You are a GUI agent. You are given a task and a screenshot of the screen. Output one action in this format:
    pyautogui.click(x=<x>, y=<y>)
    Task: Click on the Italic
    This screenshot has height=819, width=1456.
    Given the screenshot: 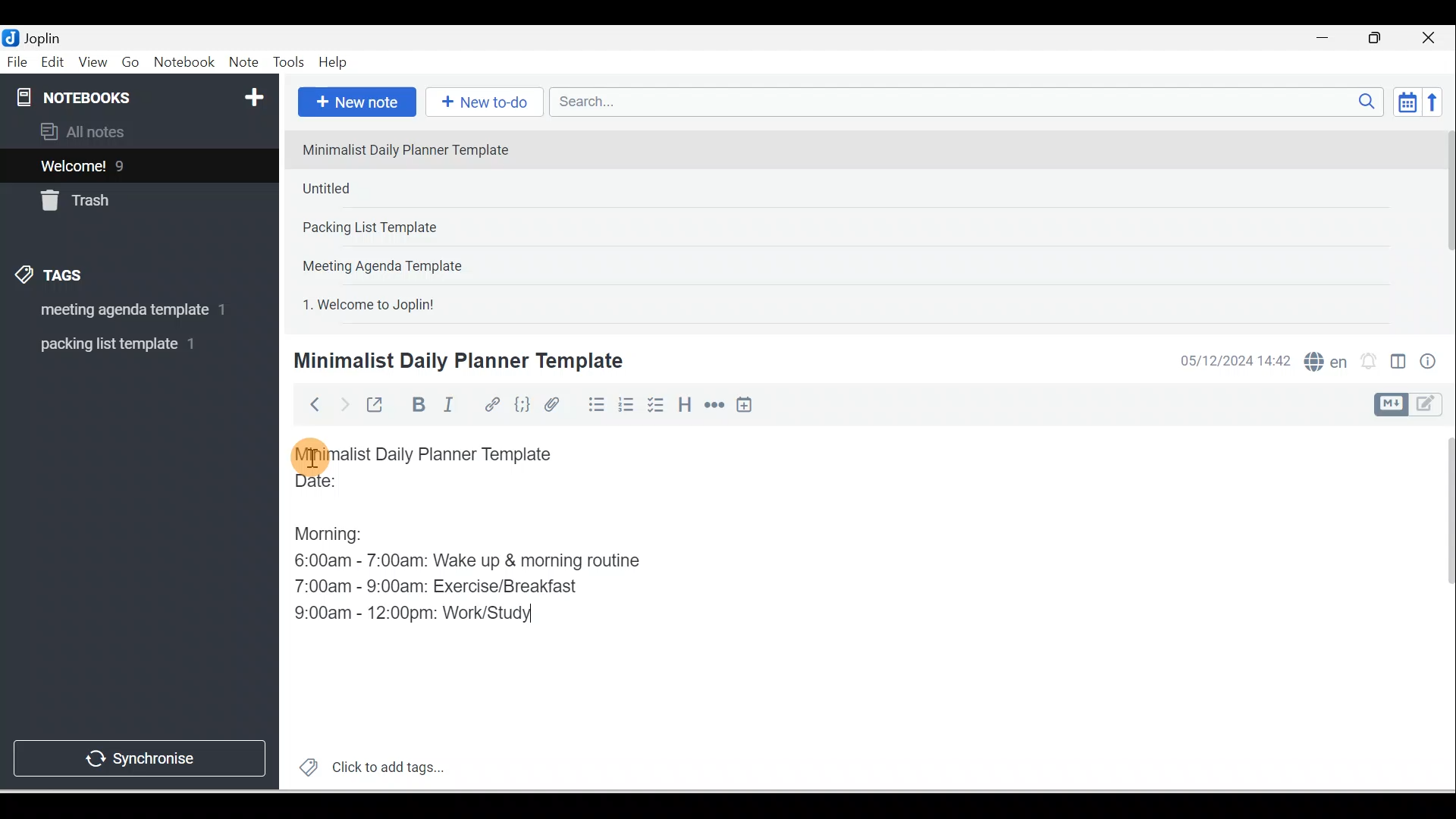 What is the action you would take?
    pyautogui.click(x=451, y=407)
    